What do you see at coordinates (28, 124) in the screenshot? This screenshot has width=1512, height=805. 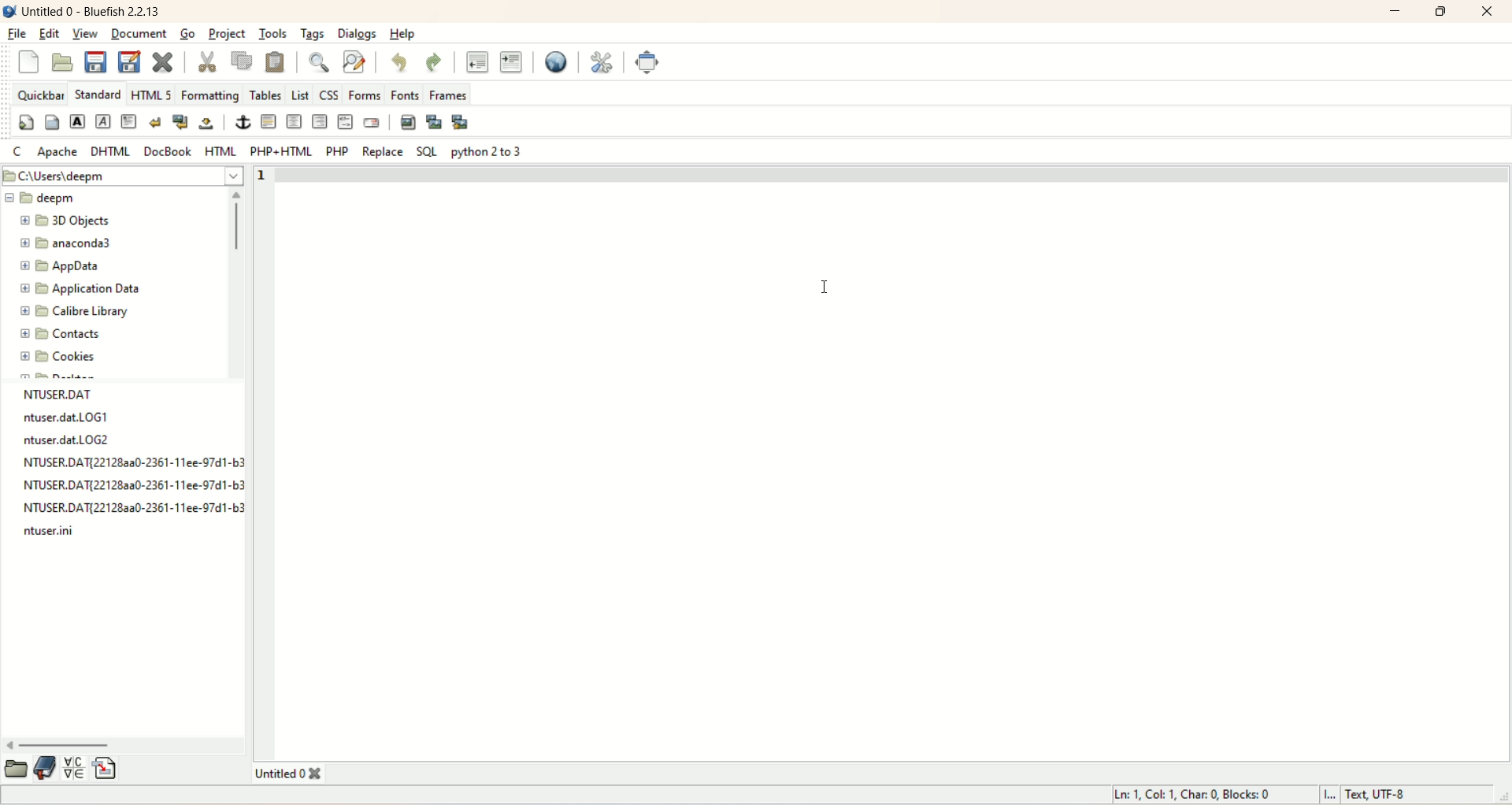 I see `quickstart` at bounding box center [28, 124].